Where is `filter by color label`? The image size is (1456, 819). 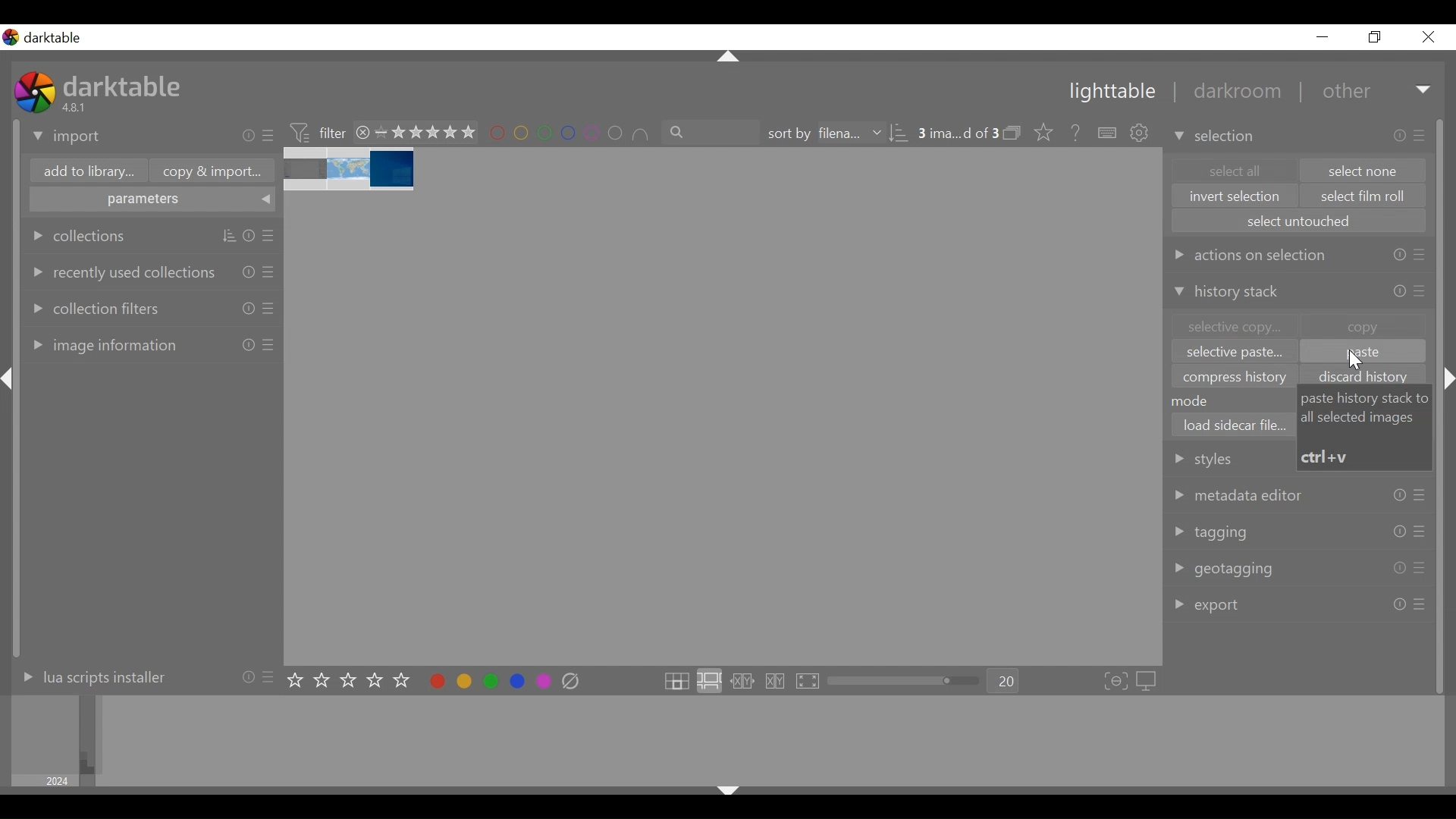
filter by color label is located at coordinates (570, 134).